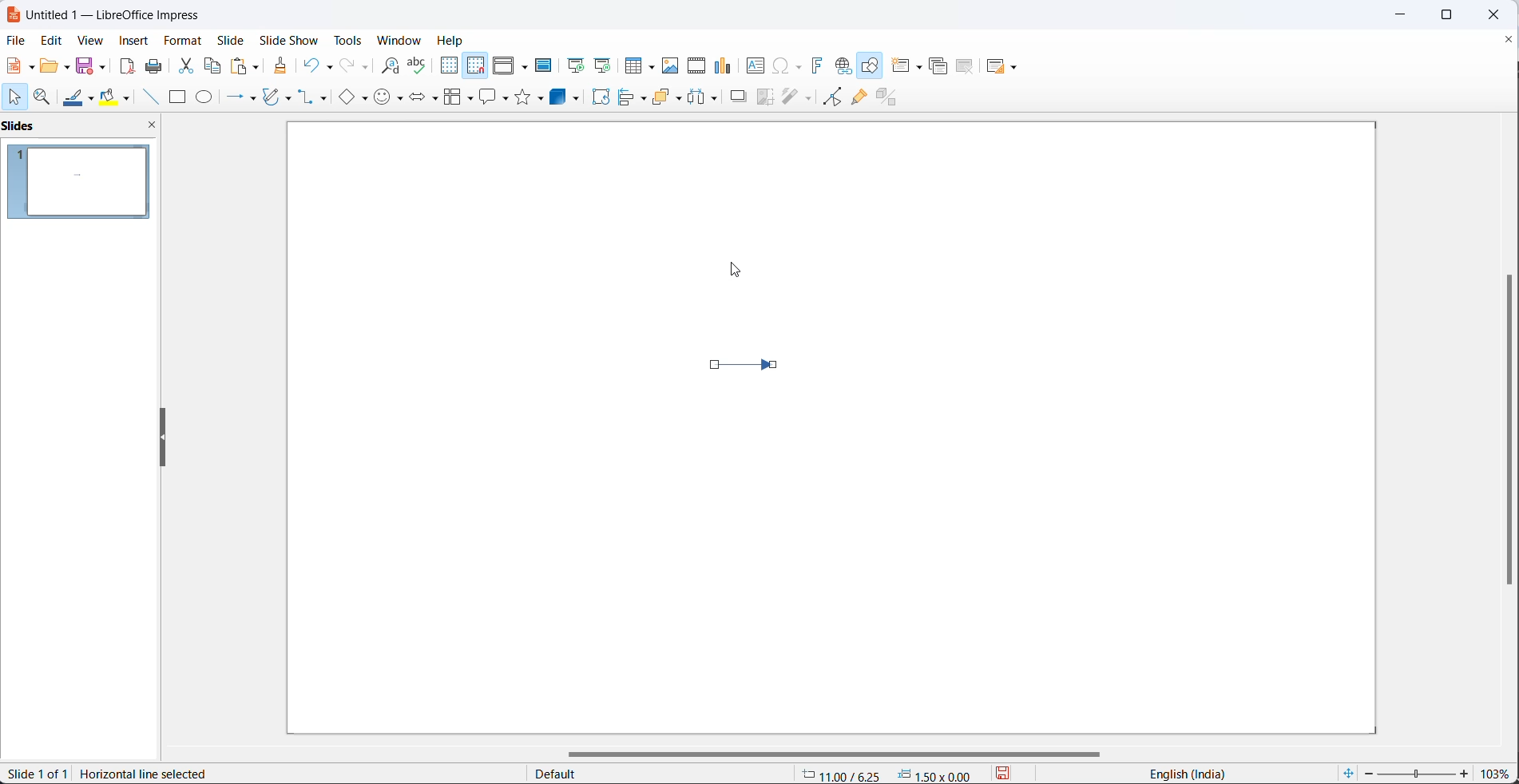  I want to click on line, so click(147, 97).